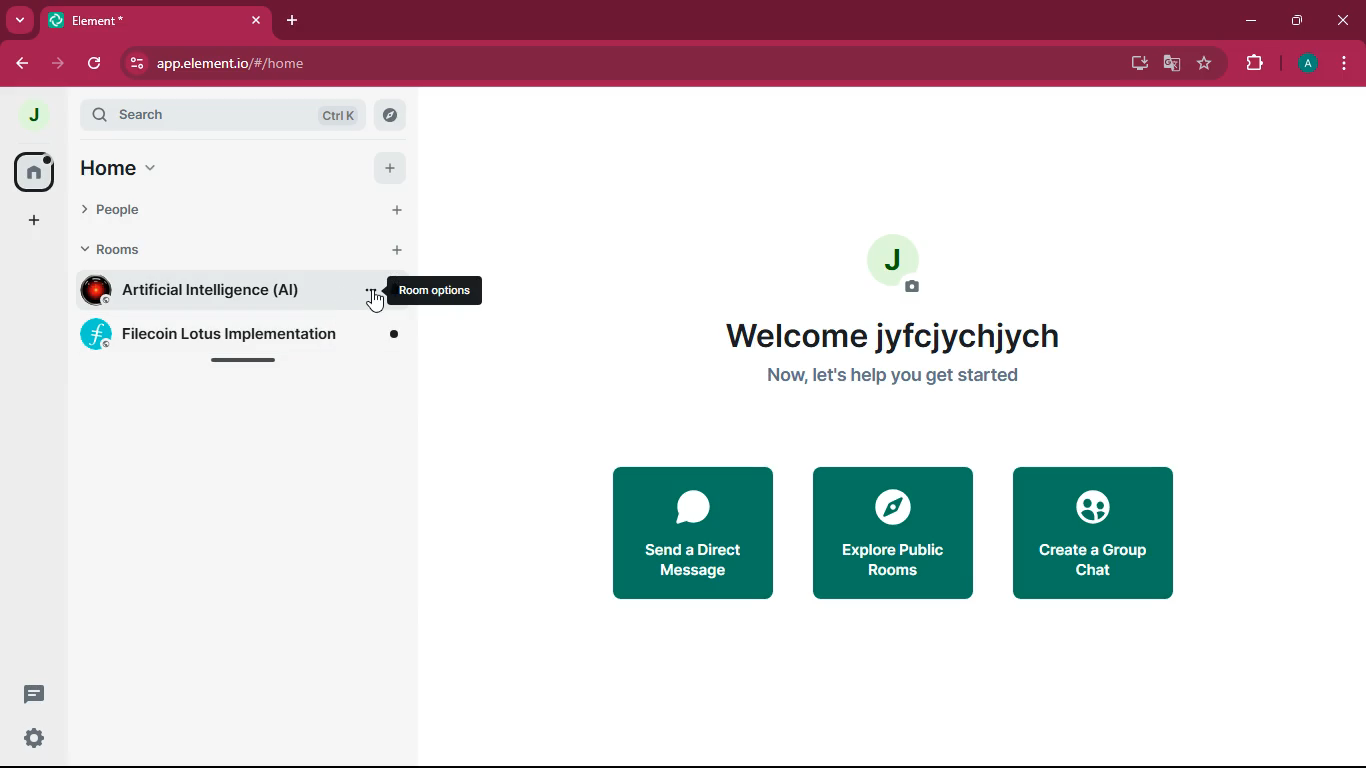 The image size is (1366, 768). What do you see at coordinates (892, 537) in the screenshot?
I see `explore public rooms` at bounding box center [892, 537].